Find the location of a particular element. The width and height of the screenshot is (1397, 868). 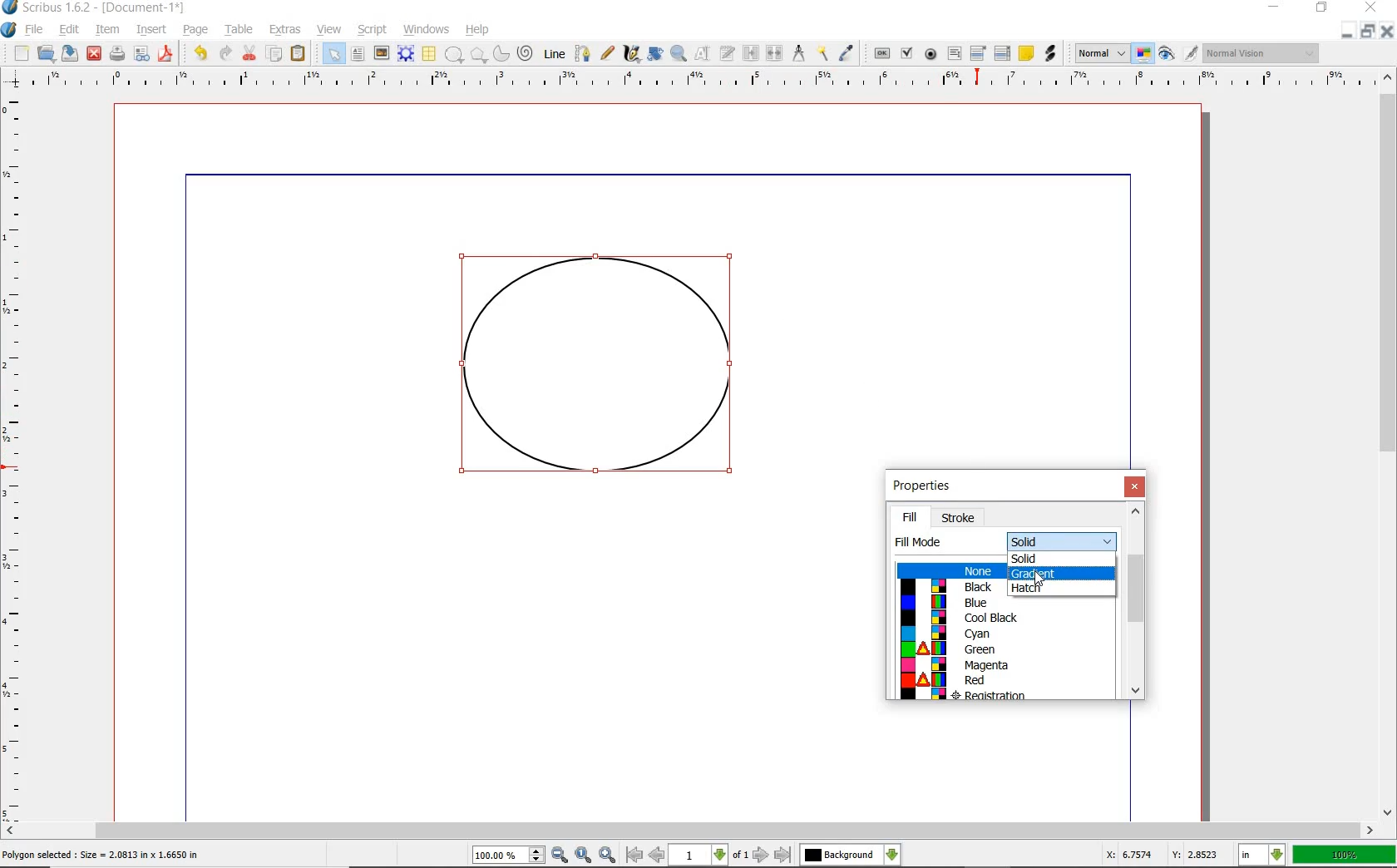

EDIT TEXT WITH STORY EDITOR is located at coordinates (728, 53).